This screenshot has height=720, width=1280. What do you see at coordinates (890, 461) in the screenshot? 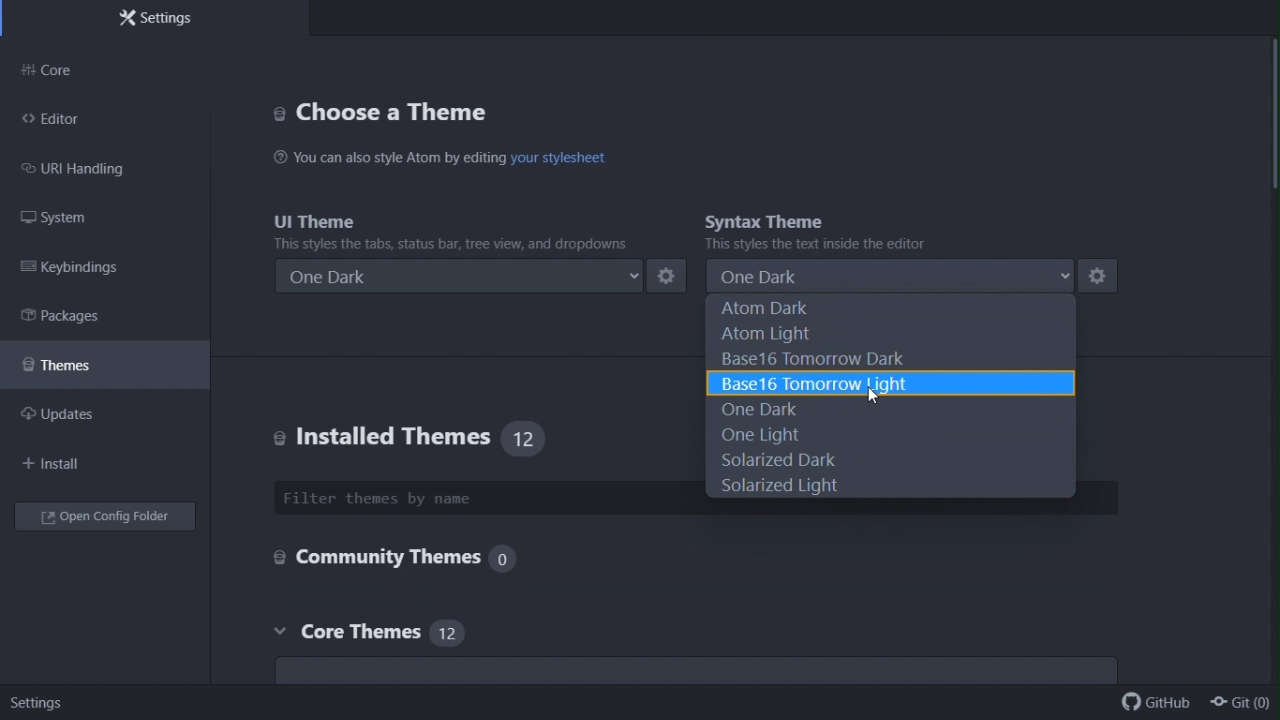
I see `Solarized dark` at bounding box center [890, 461].